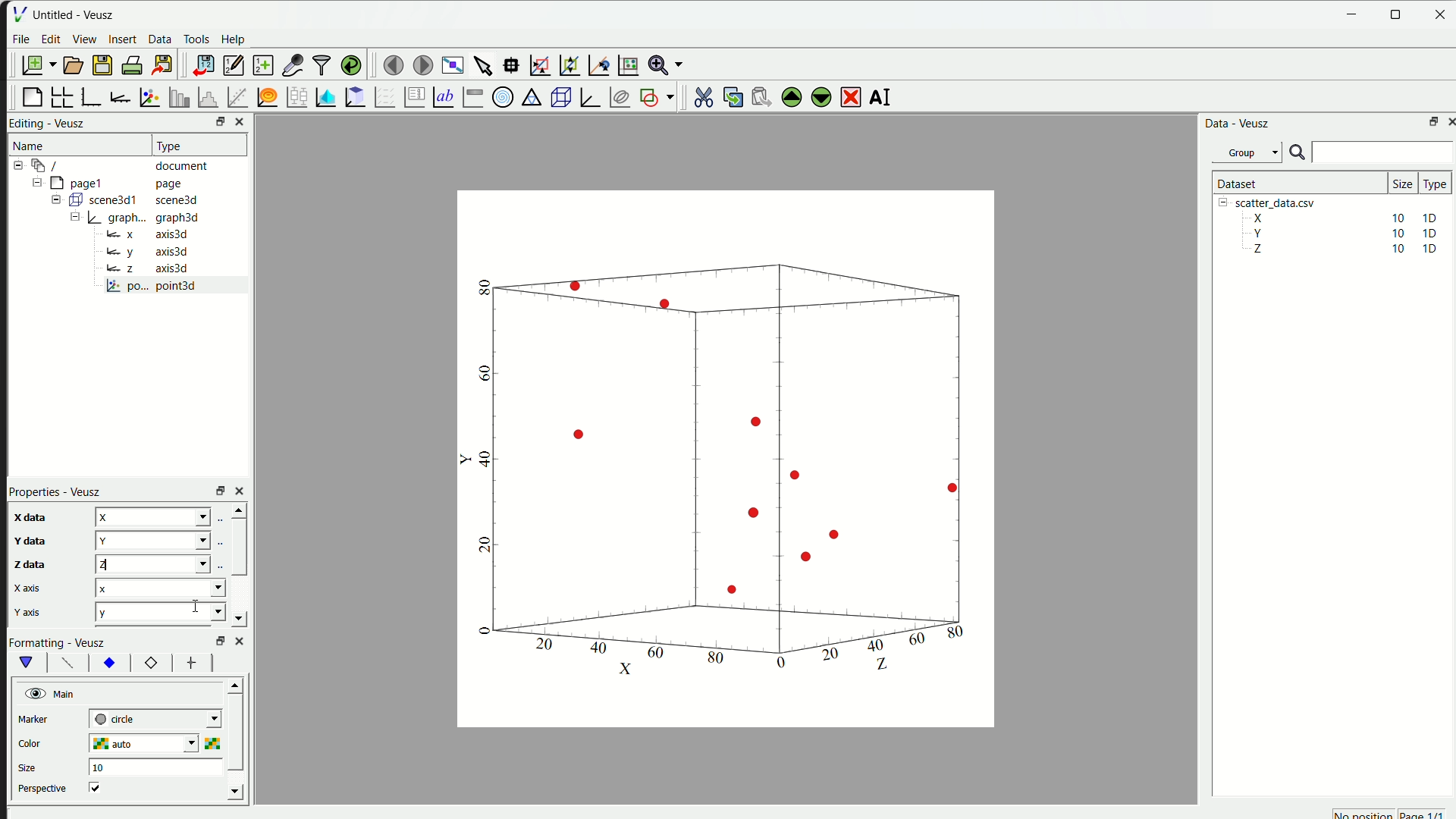 The image size is (1456, 819). What do you see at coordinates (42, 789) in the screenshot?
I see `perspective` at bounding box center [42, 789].